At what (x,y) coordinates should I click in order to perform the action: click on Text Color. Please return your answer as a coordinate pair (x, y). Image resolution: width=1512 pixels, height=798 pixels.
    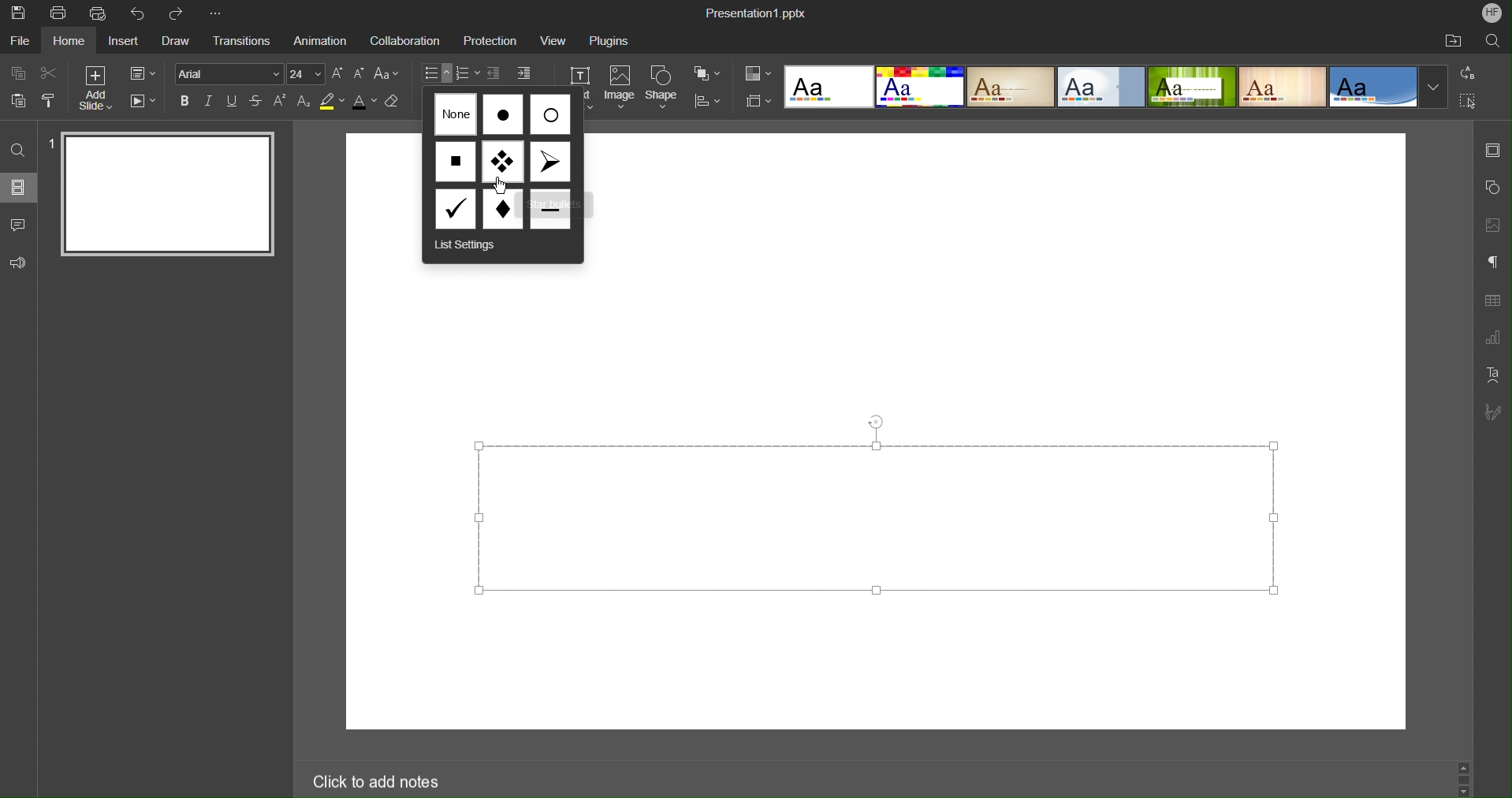
    Looking at the image, I should click on (364, 102).